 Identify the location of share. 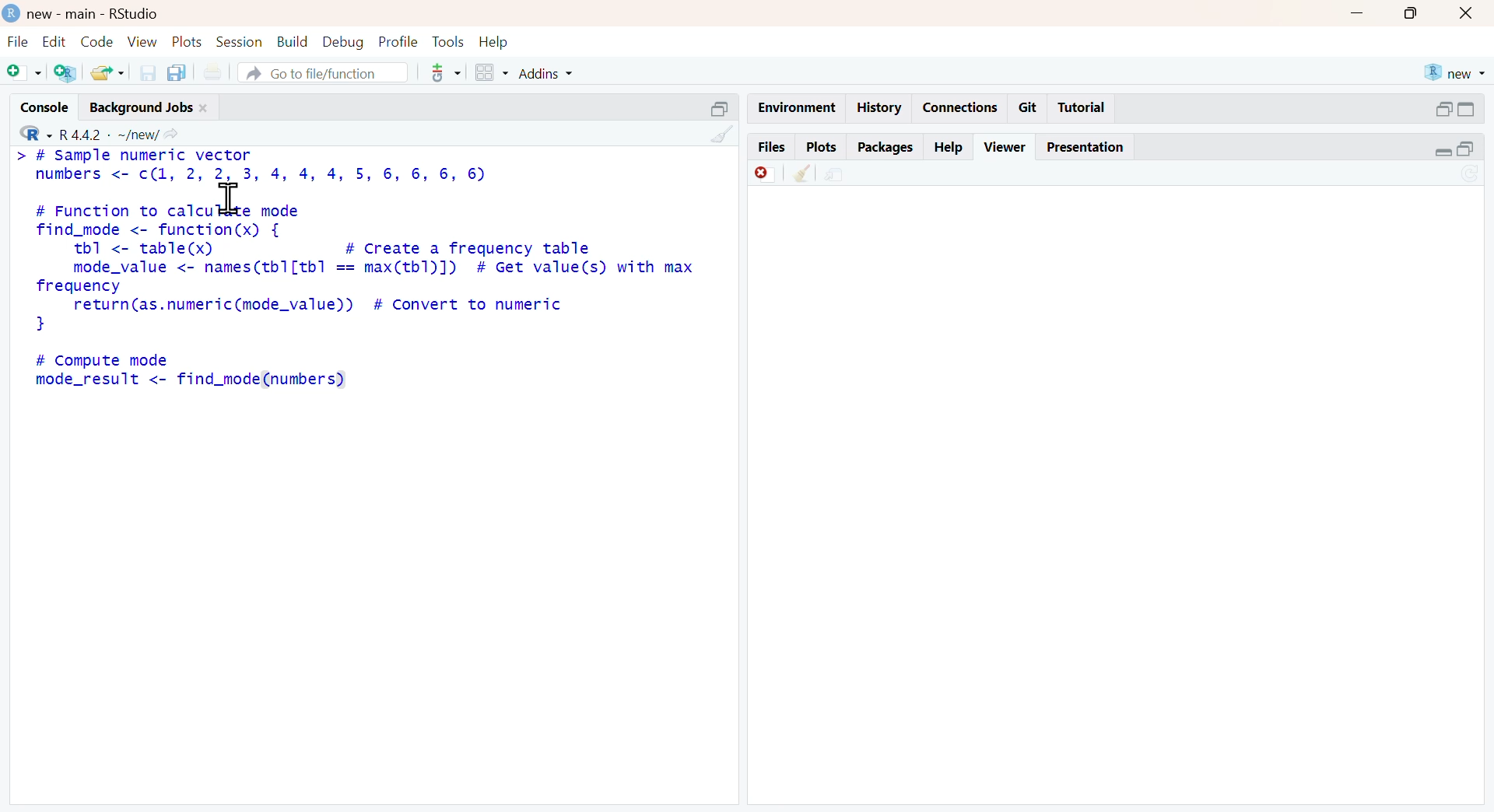
(835, 175).